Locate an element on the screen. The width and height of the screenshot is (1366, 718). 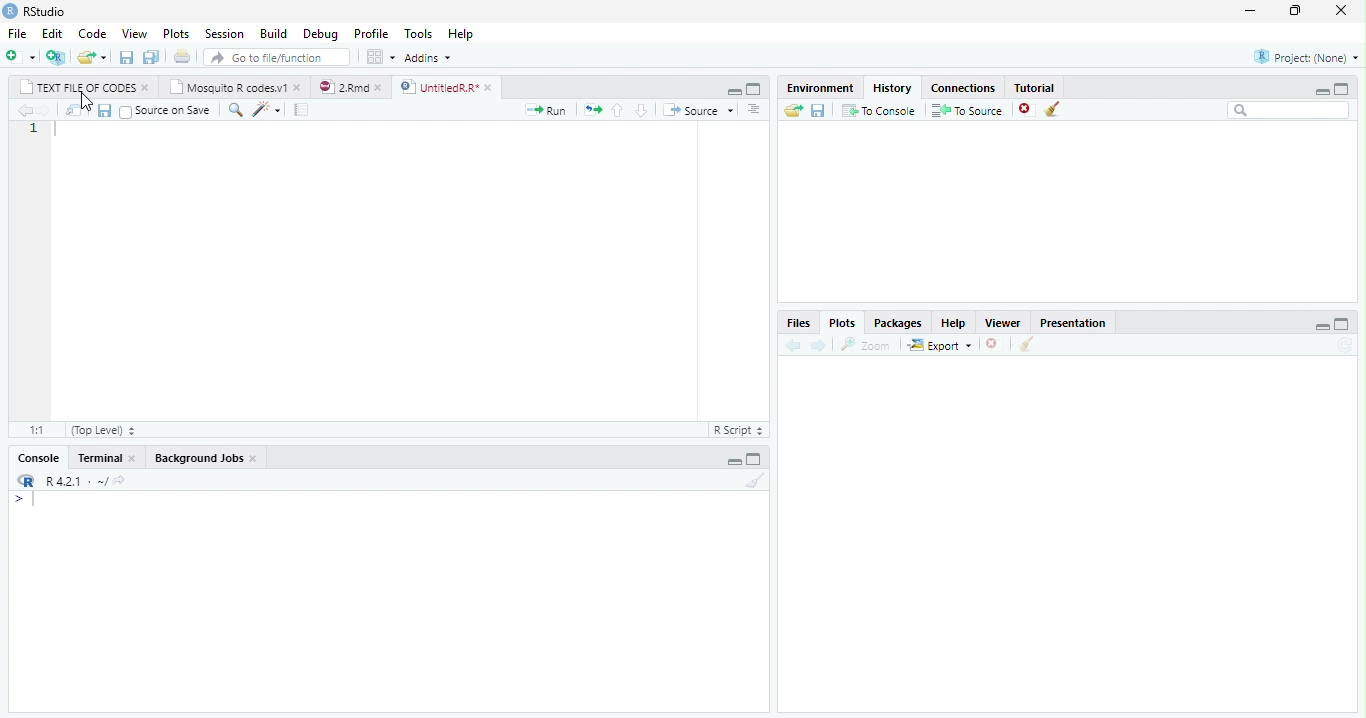
next plot is located at coordinates (822, 345).